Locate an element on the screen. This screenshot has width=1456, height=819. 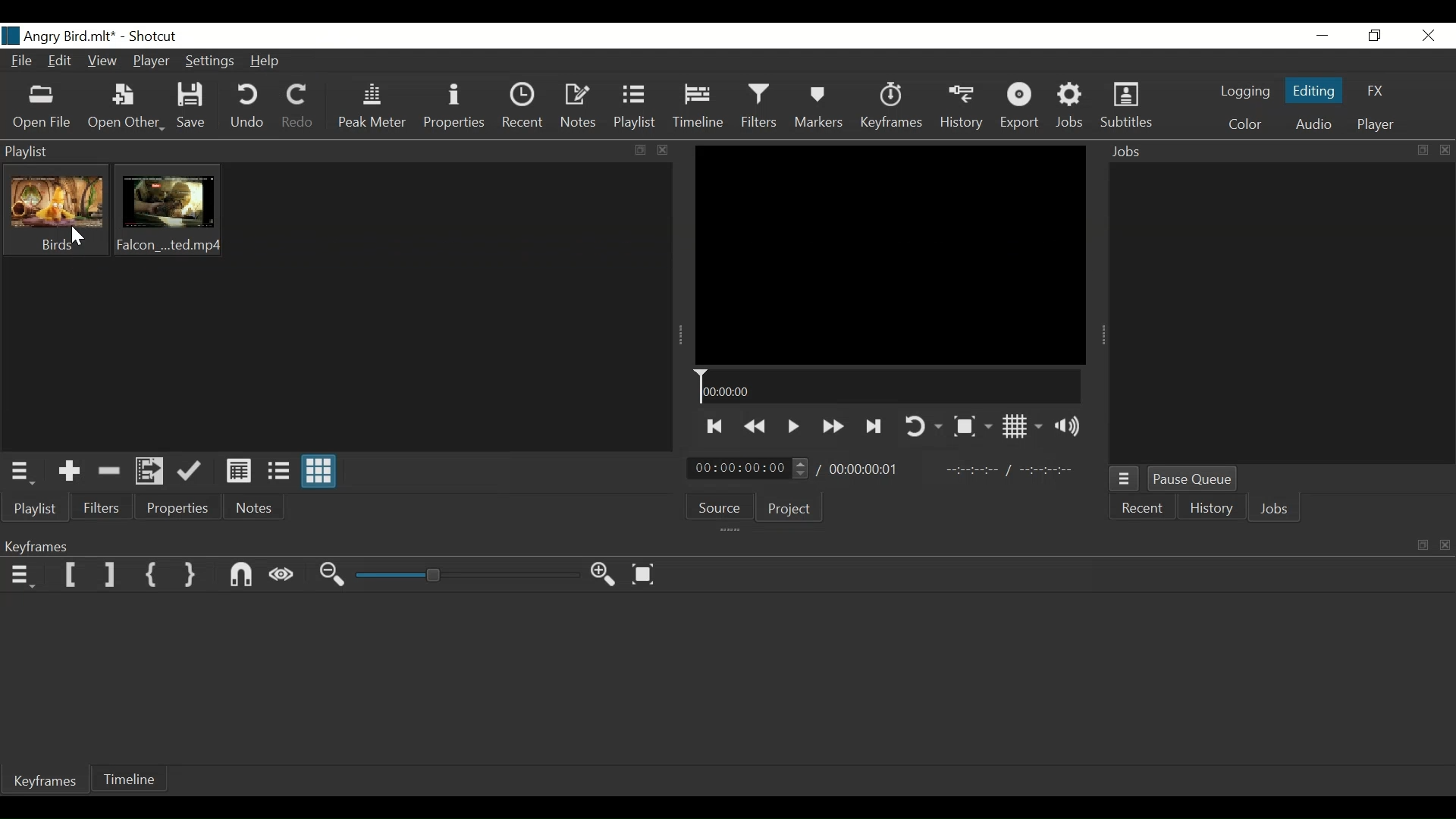
Scrub while dragging is located at coordinates (285, 575).